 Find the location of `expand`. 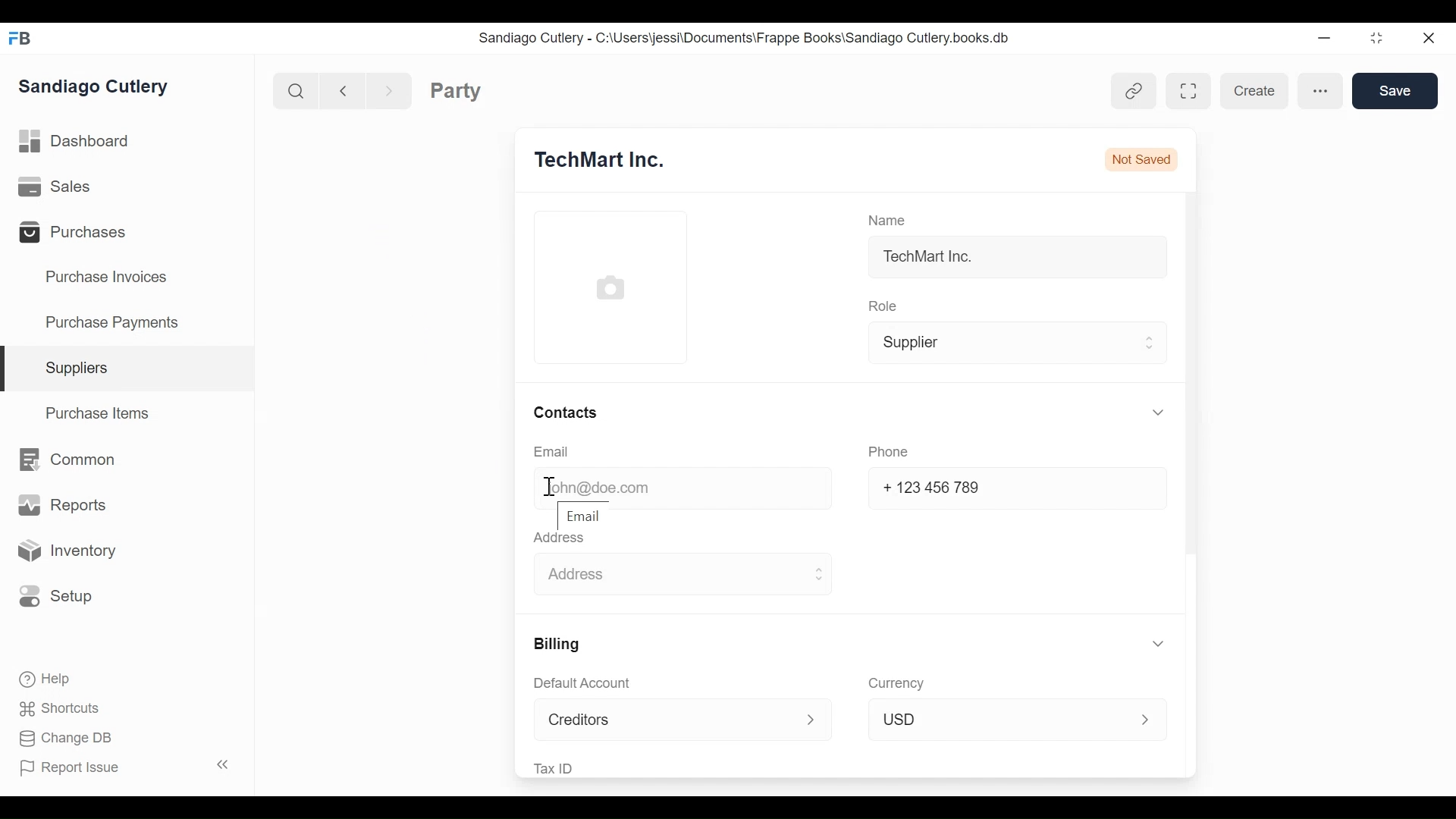

expand is located at coordinates (224, 762).